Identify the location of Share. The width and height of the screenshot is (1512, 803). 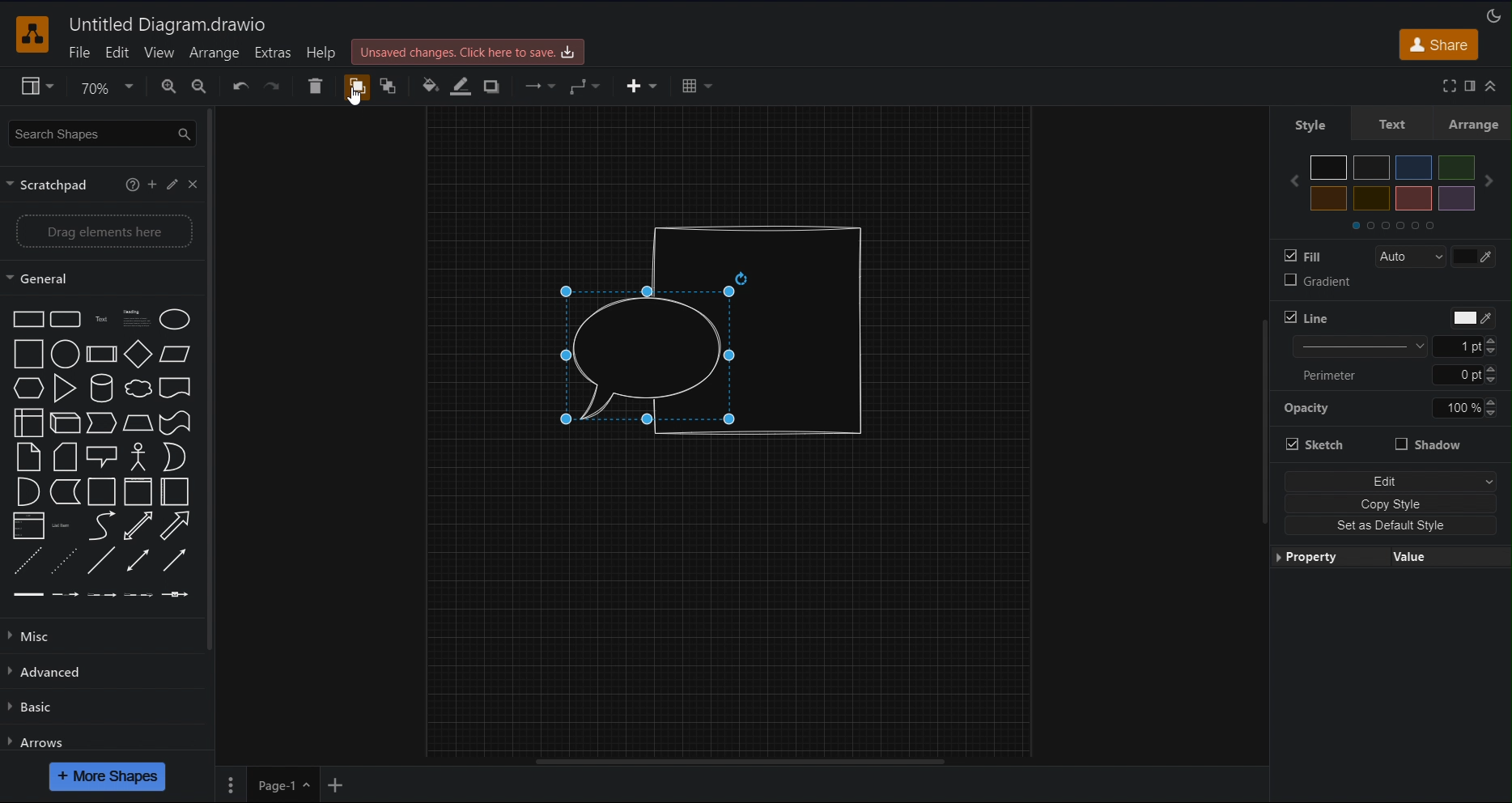
(1438, 45).